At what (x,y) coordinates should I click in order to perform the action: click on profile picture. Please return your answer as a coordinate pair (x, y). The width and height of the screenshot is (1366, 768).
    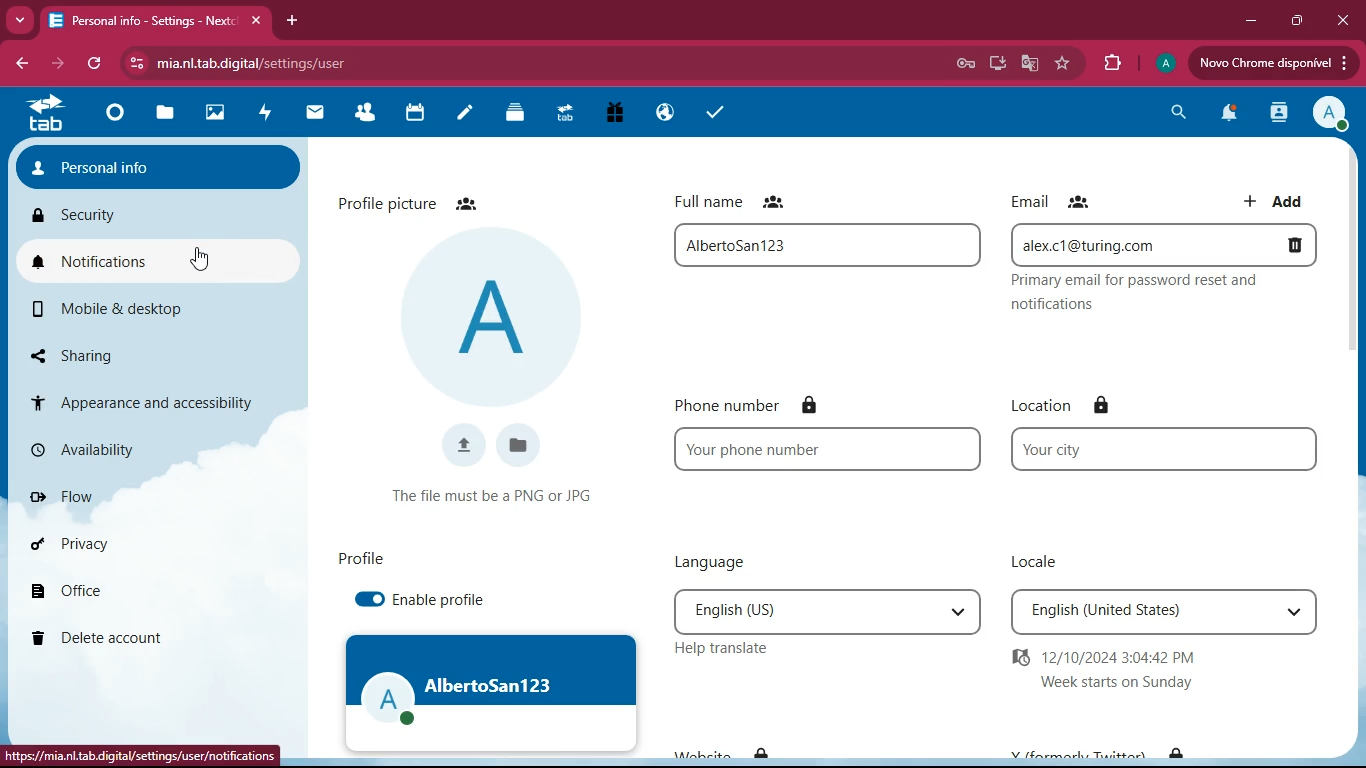
    Looking at the image, I should click on (499, 319).